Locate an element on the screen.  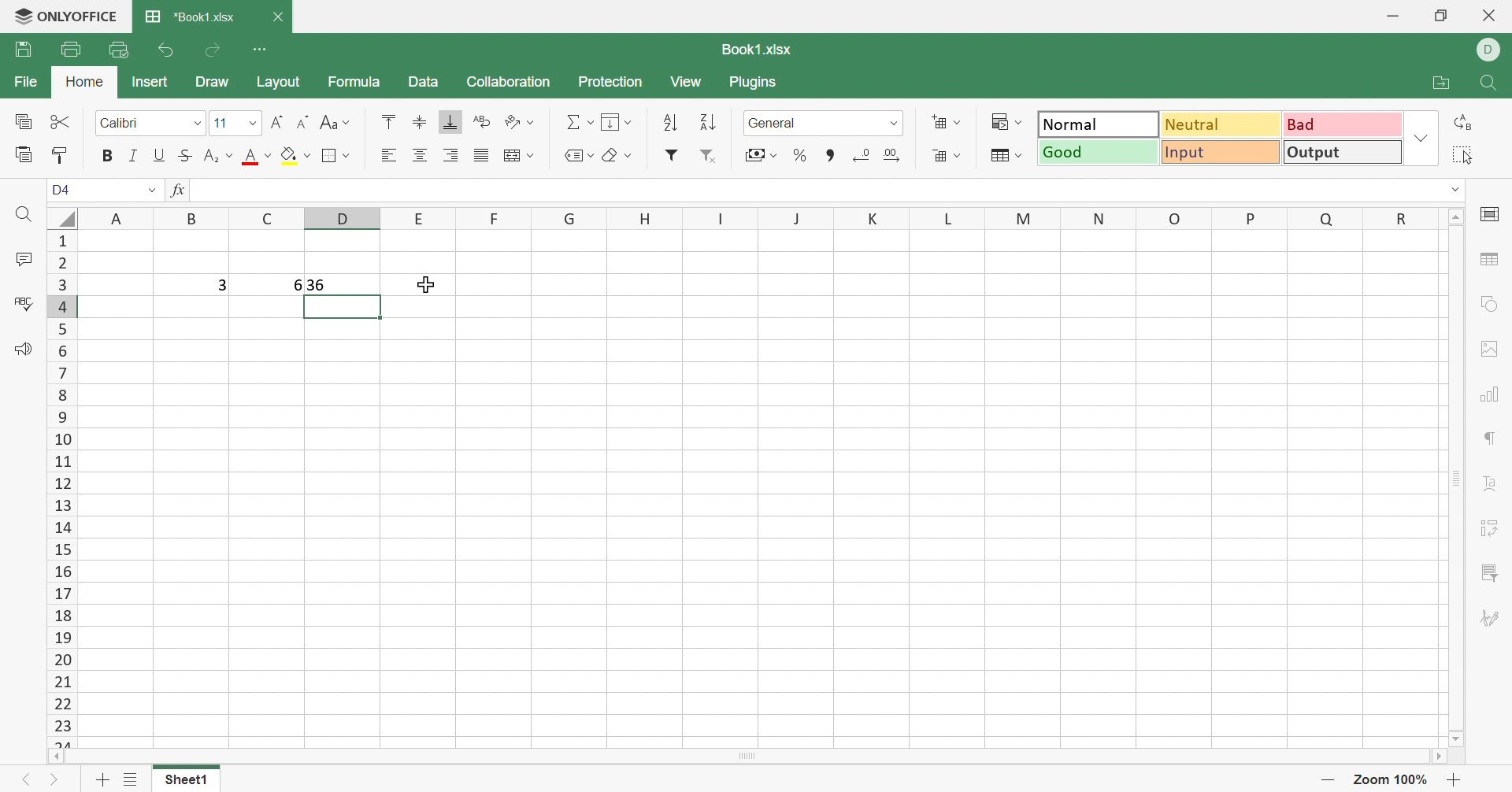
Column names is located at coordinates (756, 216).